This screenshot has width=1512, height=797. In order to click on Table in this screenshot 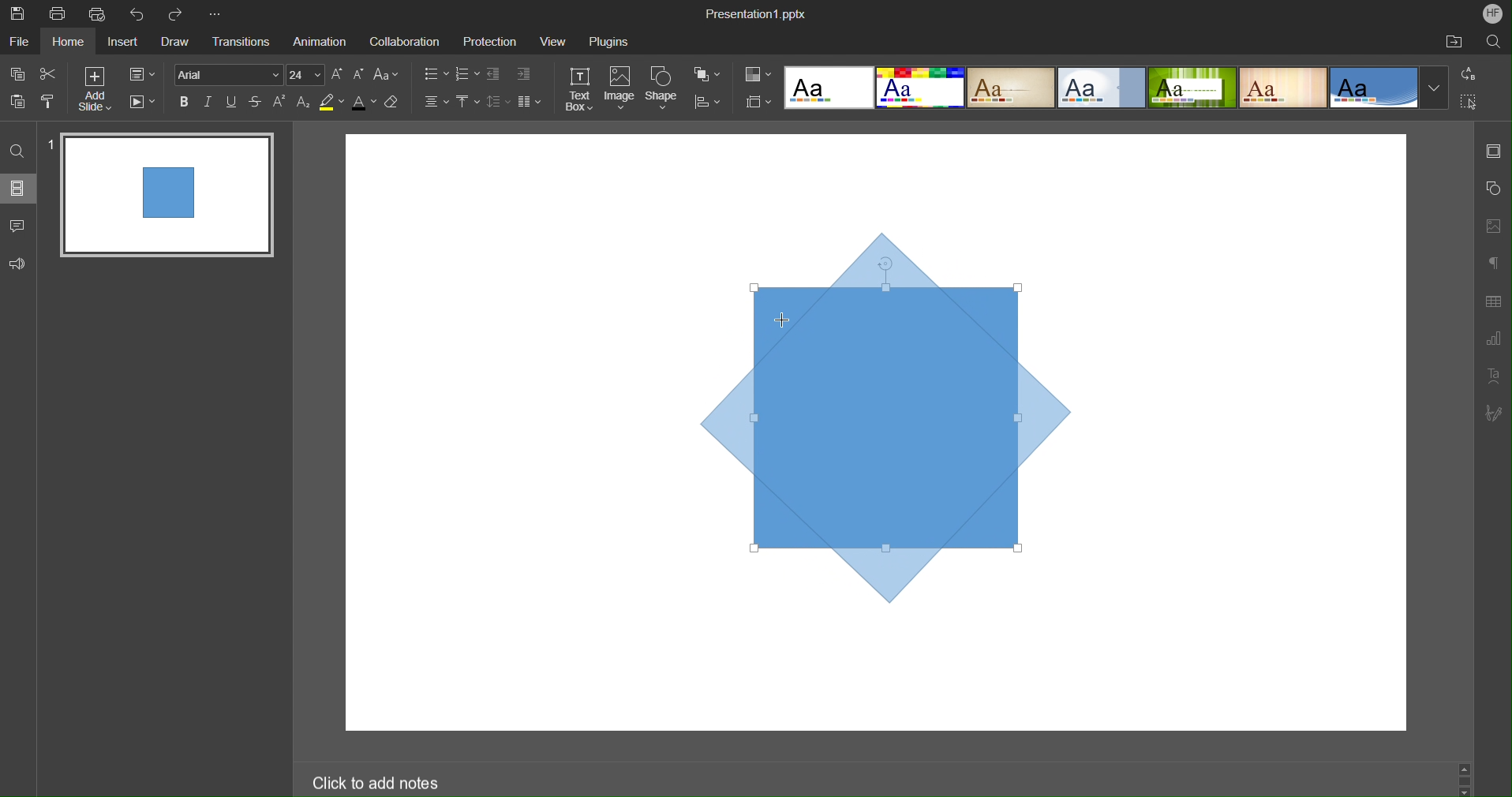, I will do `click(1494, 301)`.